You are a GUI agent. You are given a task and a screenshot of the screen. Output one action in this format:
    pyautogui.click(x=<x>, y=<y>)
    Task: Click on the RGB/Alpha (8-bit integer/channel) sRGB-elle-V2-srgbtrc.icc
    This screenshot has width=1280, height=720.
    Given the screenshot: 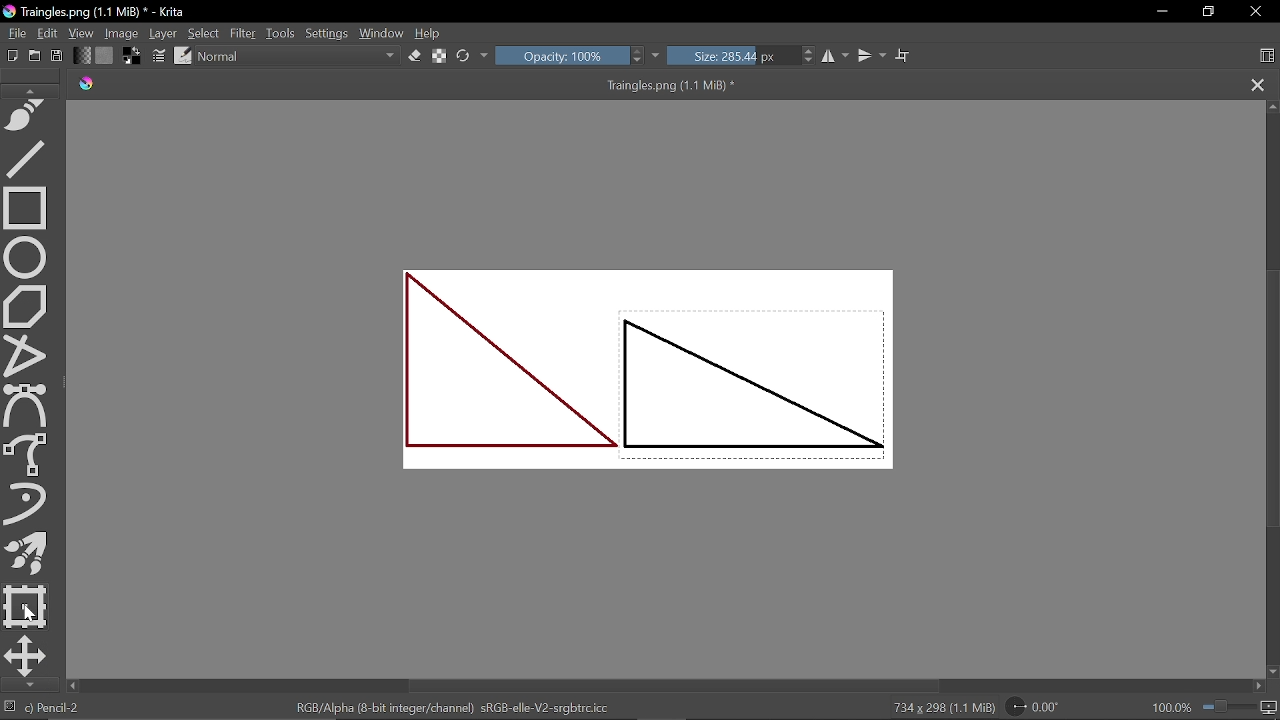 What is the action you would take?
    pyautogui.click(x=455, y=706)
    